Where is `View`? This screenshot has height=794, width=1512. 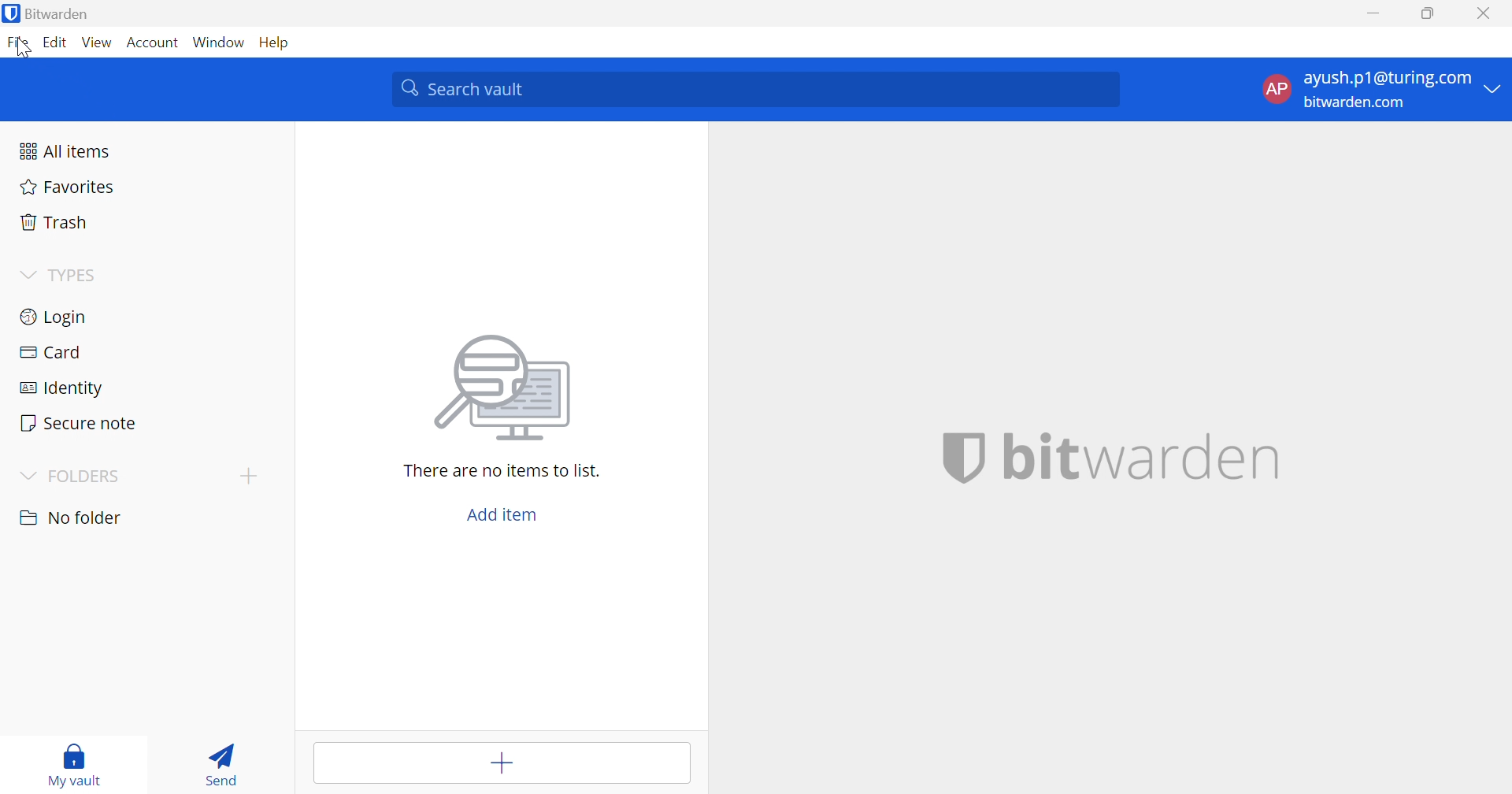 View is located at coordinates (98, 43).